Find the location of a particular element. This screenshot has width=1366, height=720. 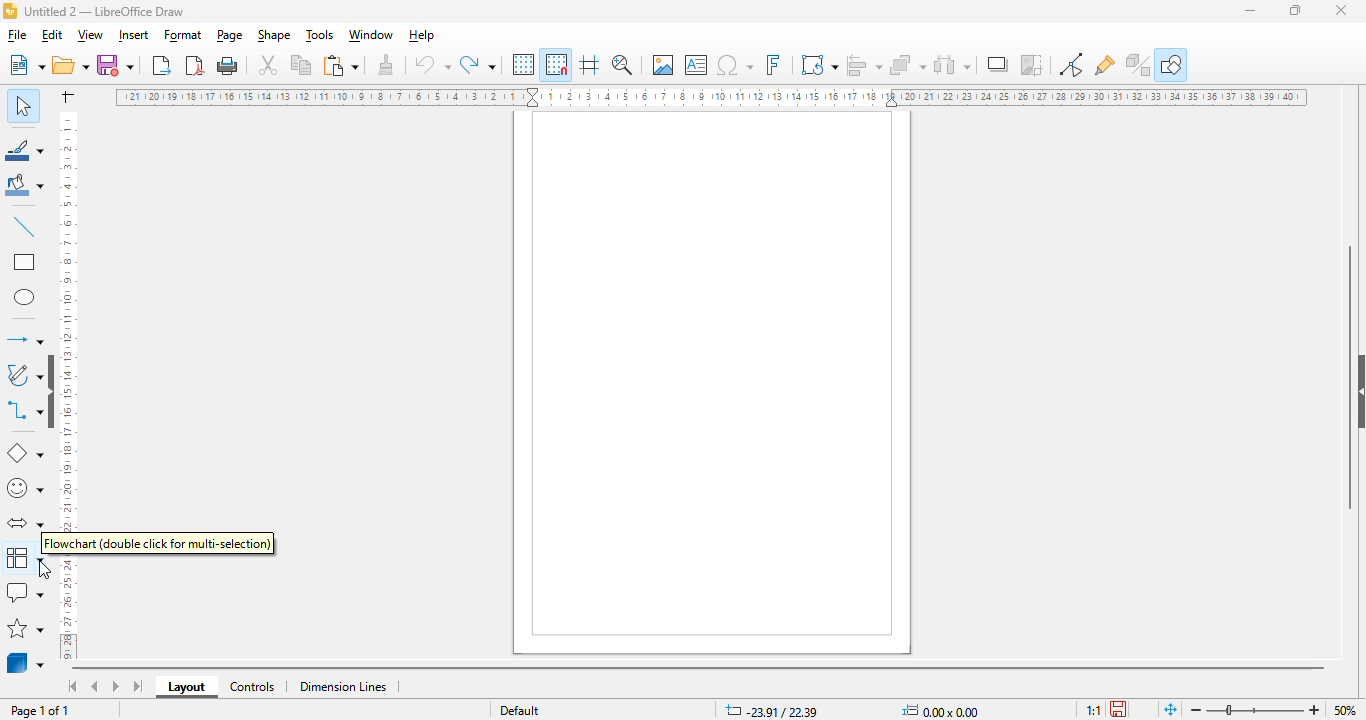

page 1 of 1 is located at coordinates (41, 711).